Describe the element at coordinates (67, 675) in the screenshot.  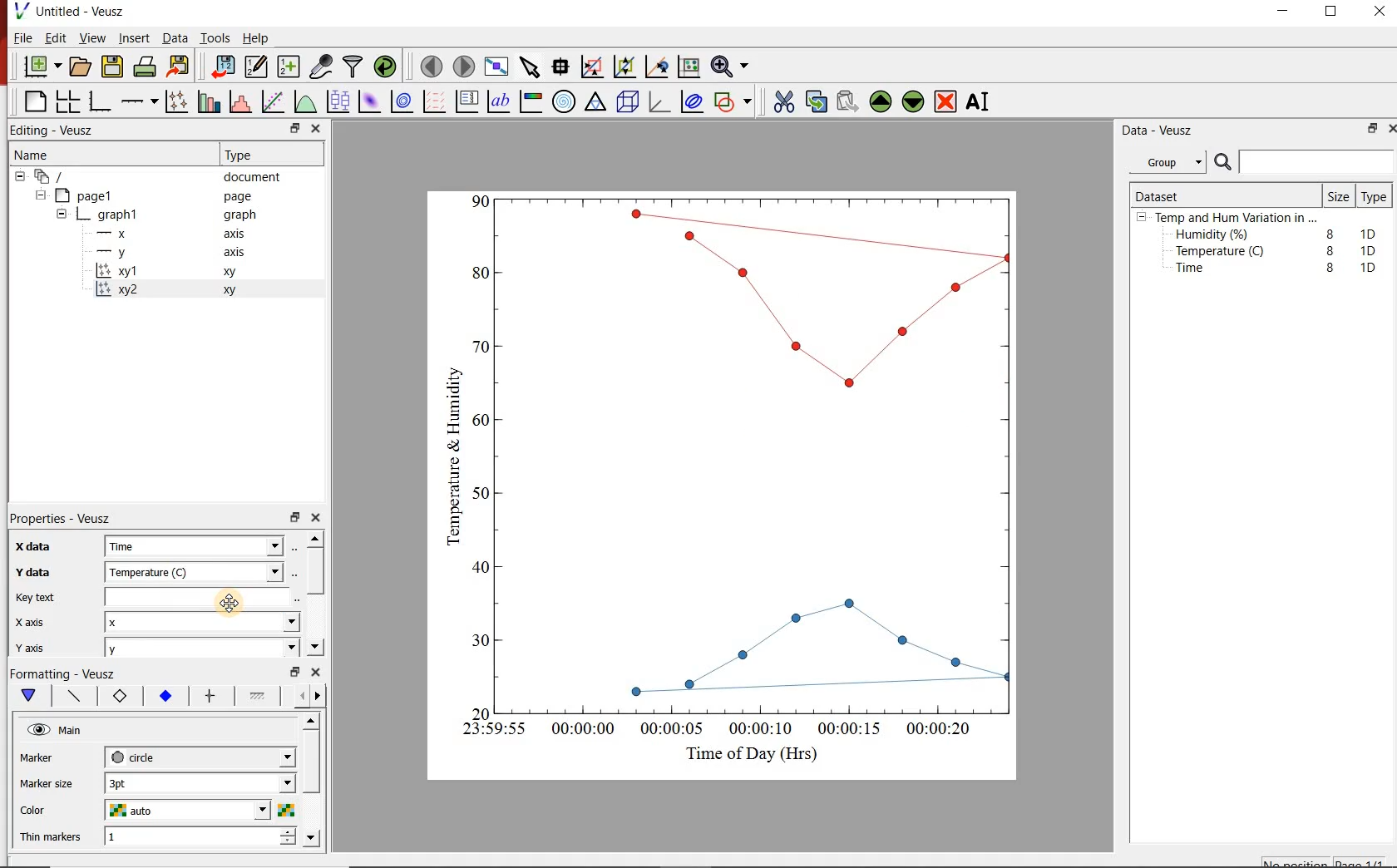
I see `Formatting - Veusz` at that location.